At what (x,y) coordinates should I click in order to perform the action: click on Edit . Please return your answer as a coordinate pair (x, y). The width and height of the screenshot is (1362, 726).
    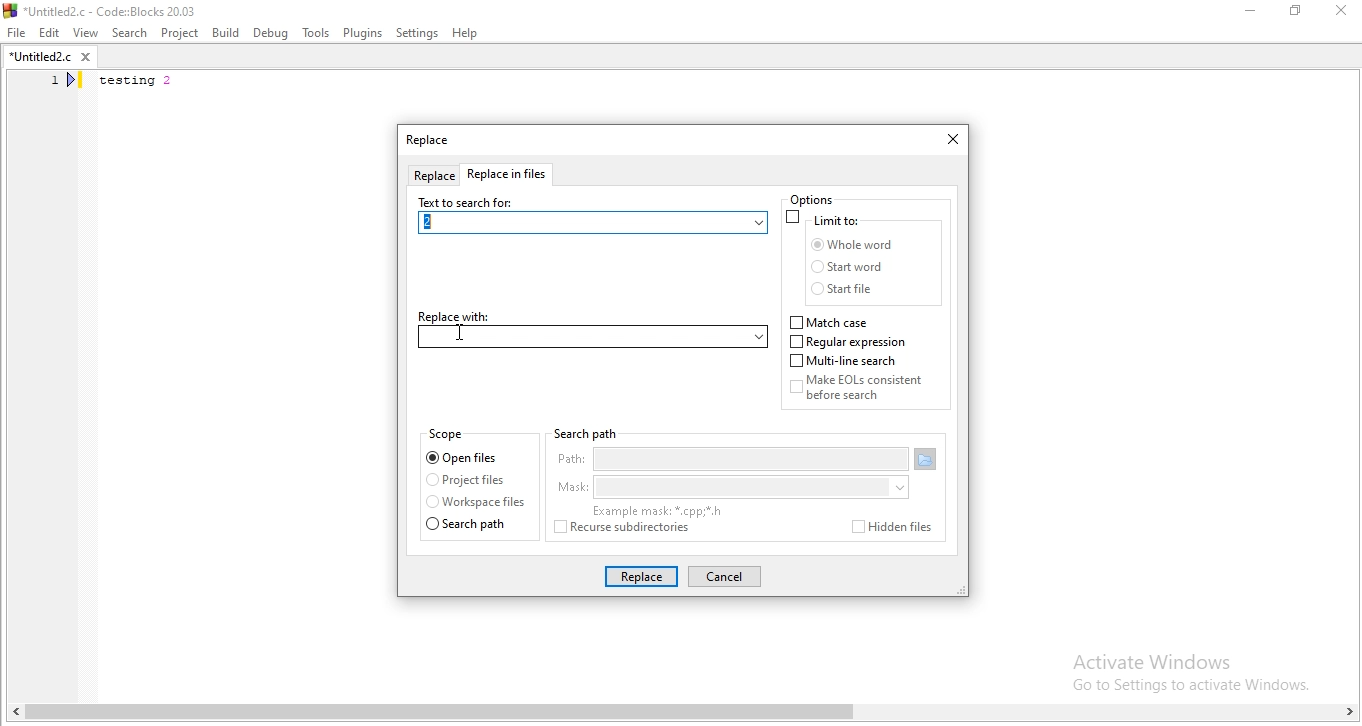
    Looking at the image, I should click on (49, 33).